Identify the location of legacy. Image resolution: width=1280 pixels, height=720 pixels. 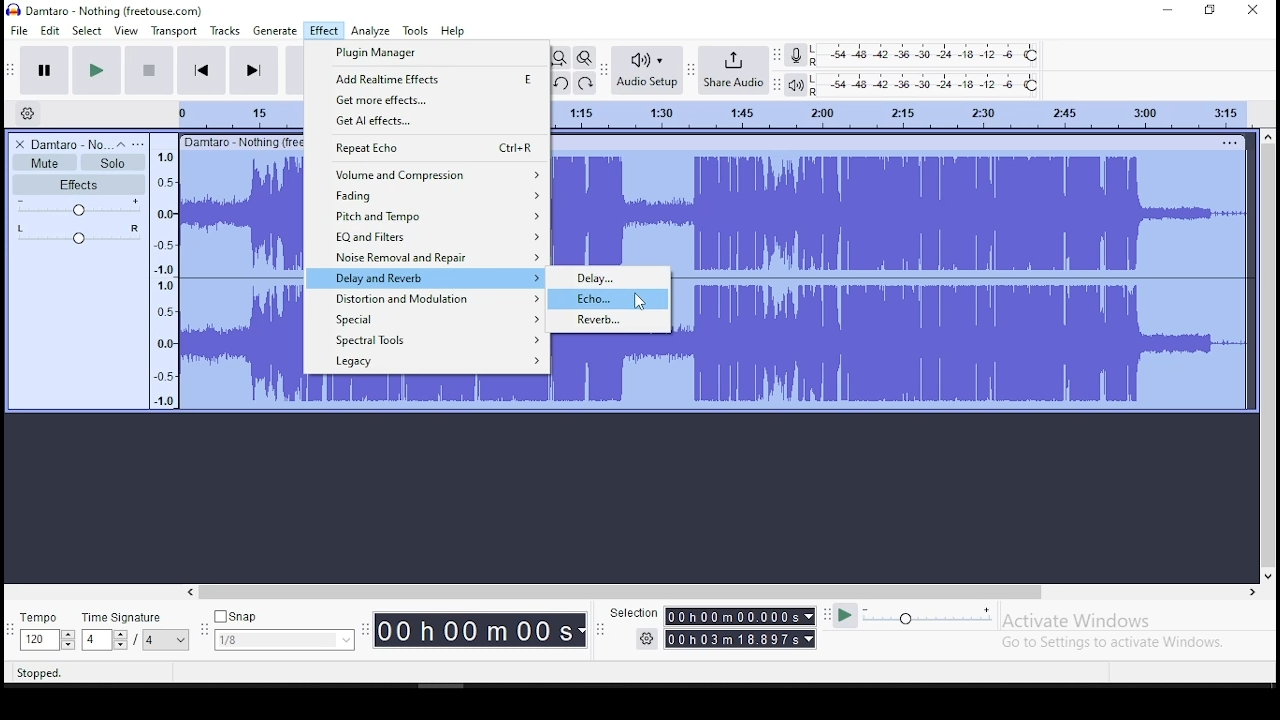
(429, 362).